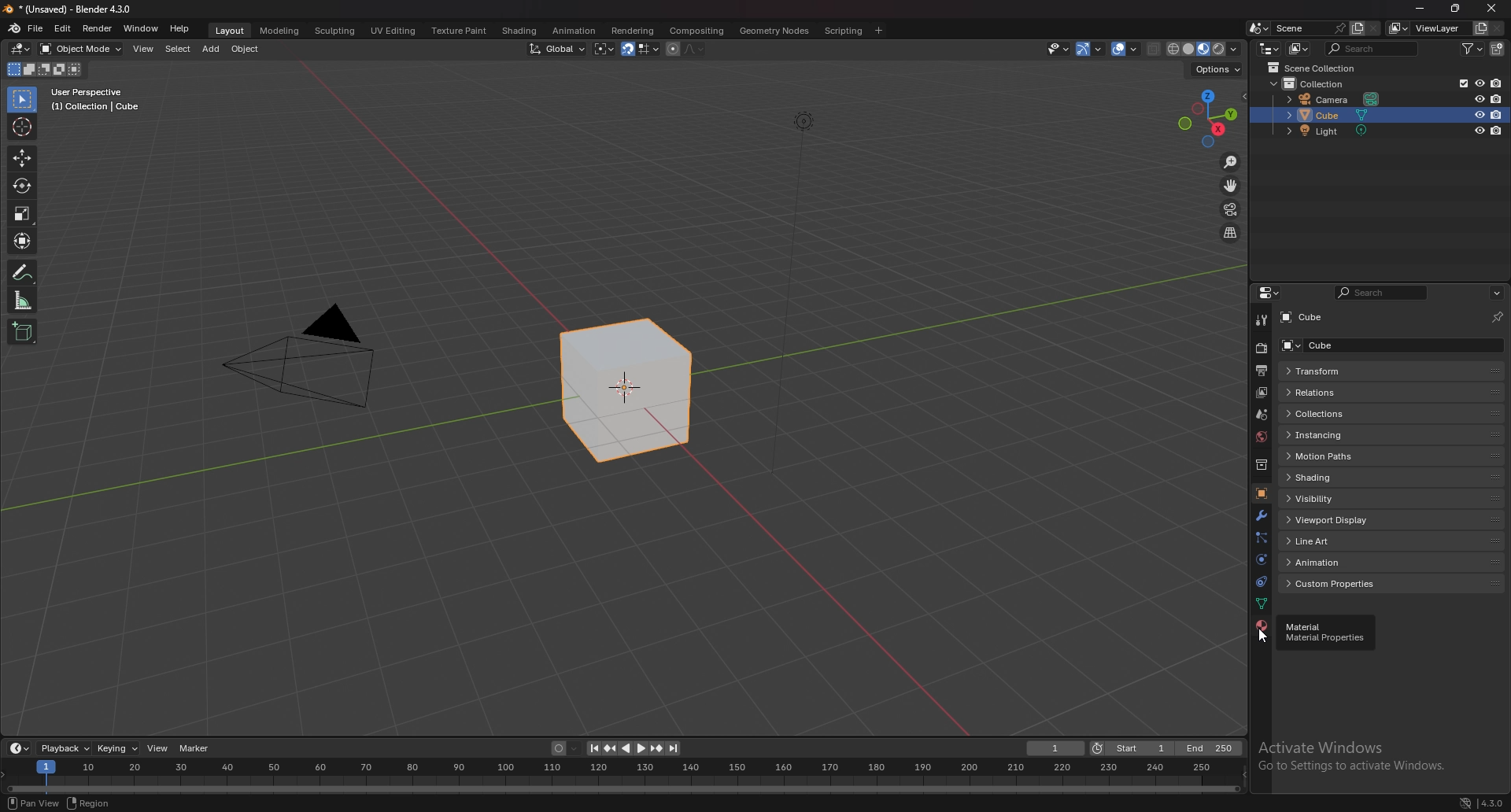 The height and width of the screenshot is (812, 1511). Describe the element at coordinates (79, 9) in the screenshot. I see `* (Unsaved) - Blender 4.3.0` at that location.